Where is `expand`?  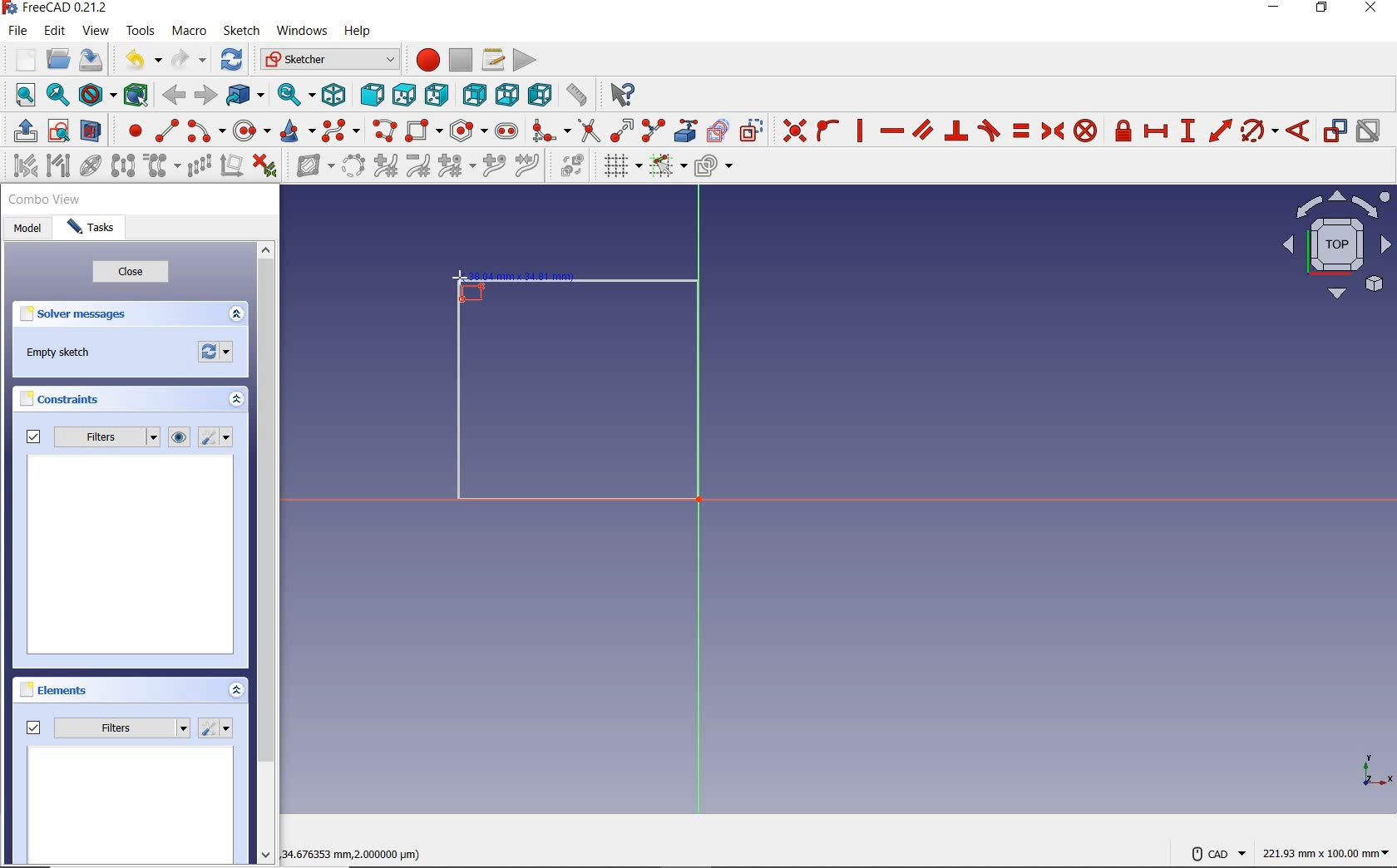
expand is located at coordinates (238, 692).